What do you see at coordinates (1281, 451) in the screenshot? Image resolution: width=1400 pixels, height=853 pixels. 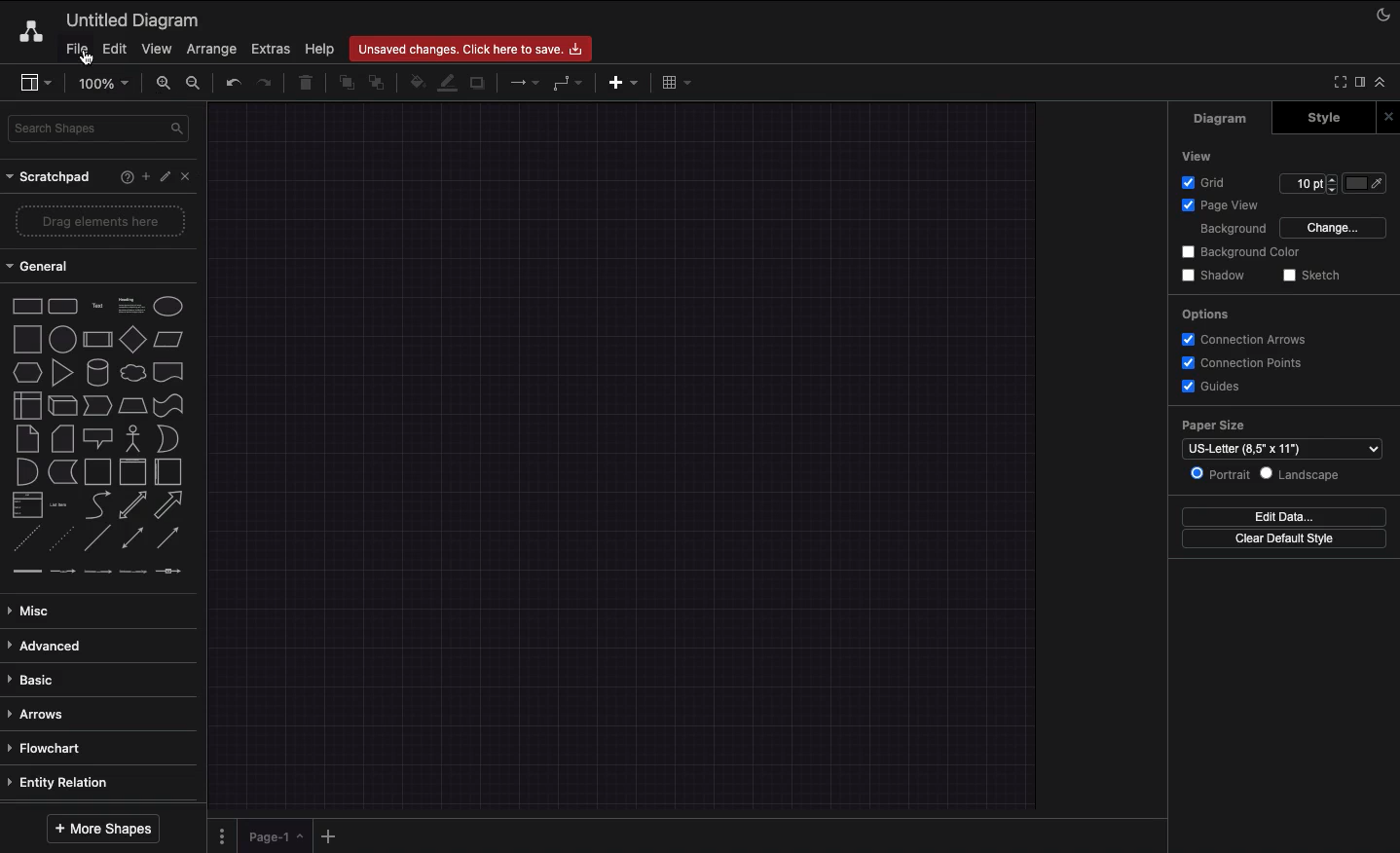 I see `US-Letter (8.5" x 11") ` at bounding box center [1281, 451].